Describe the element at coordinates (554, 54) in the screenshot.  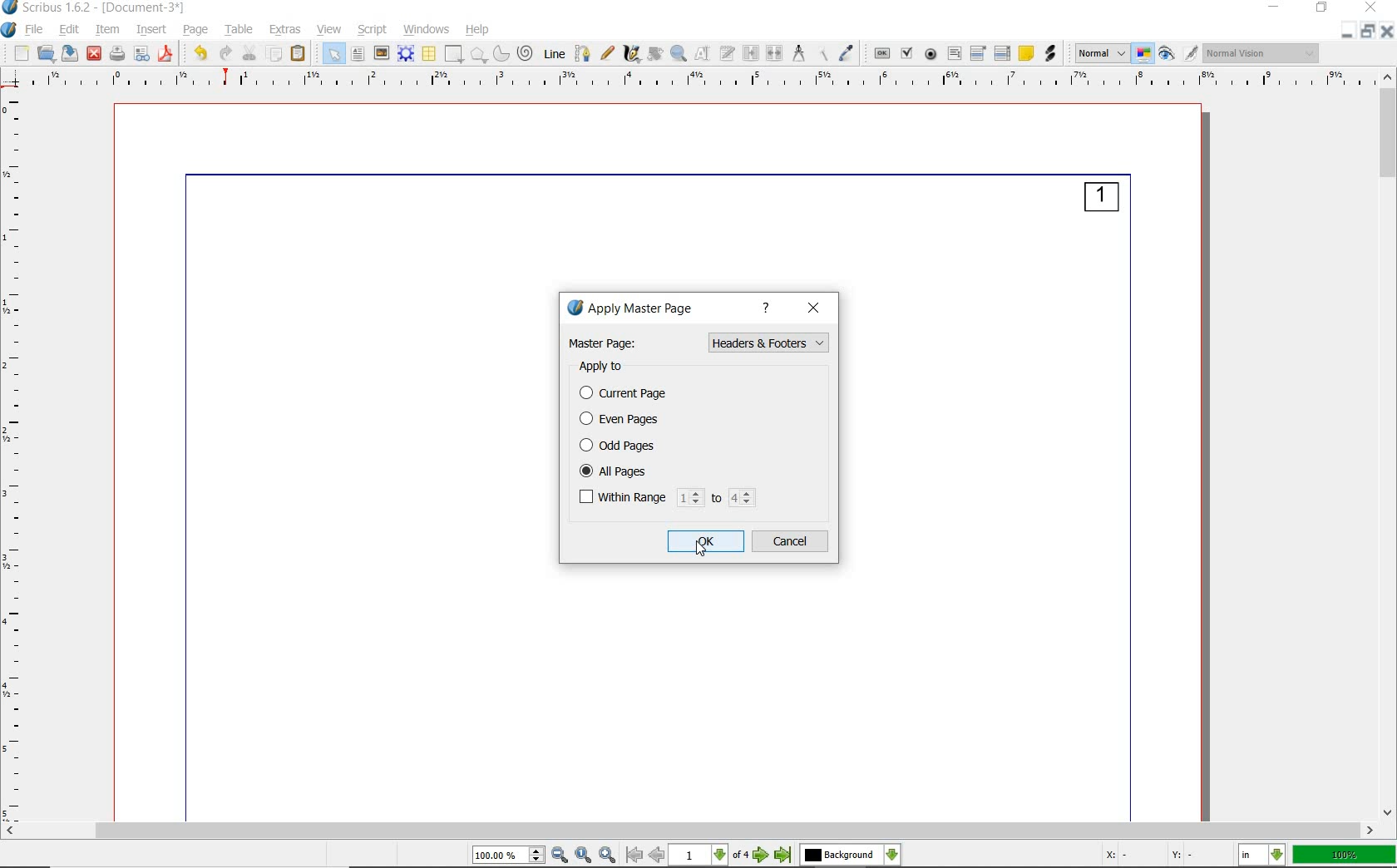
I see `line` at that location.